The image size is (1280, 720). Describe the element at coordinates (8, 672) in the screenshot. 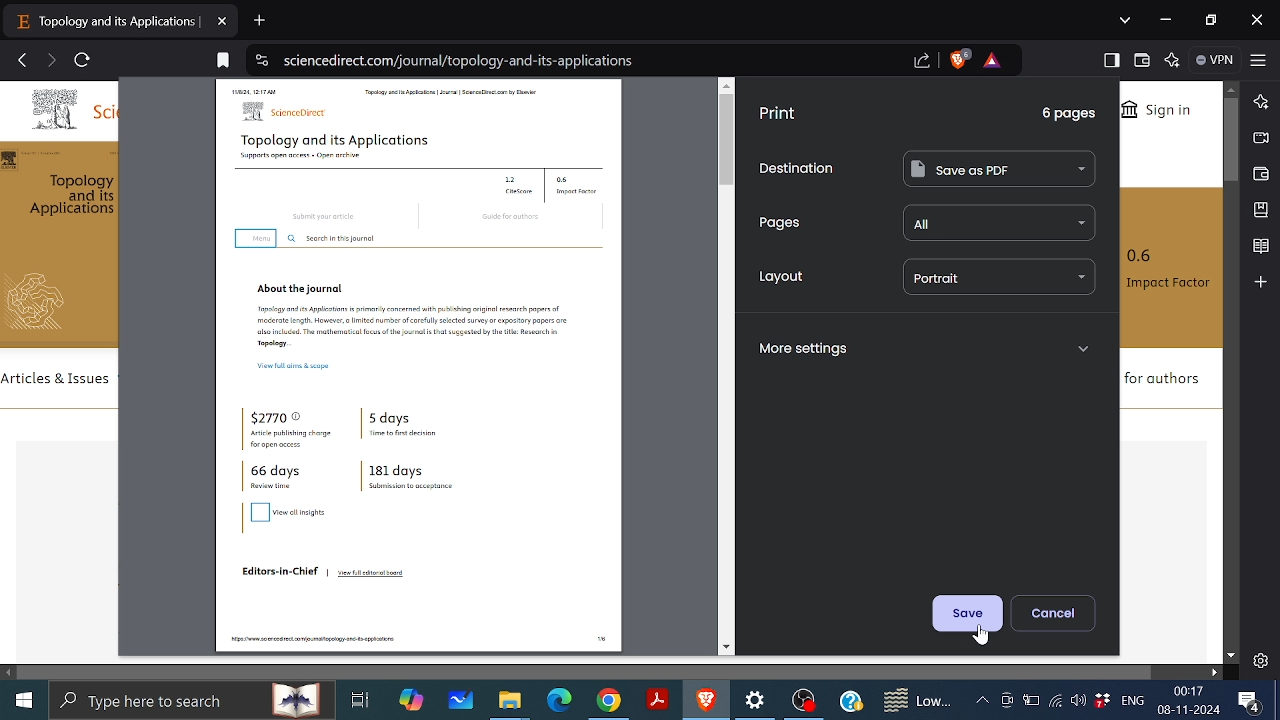

I see `Move left` at that location.